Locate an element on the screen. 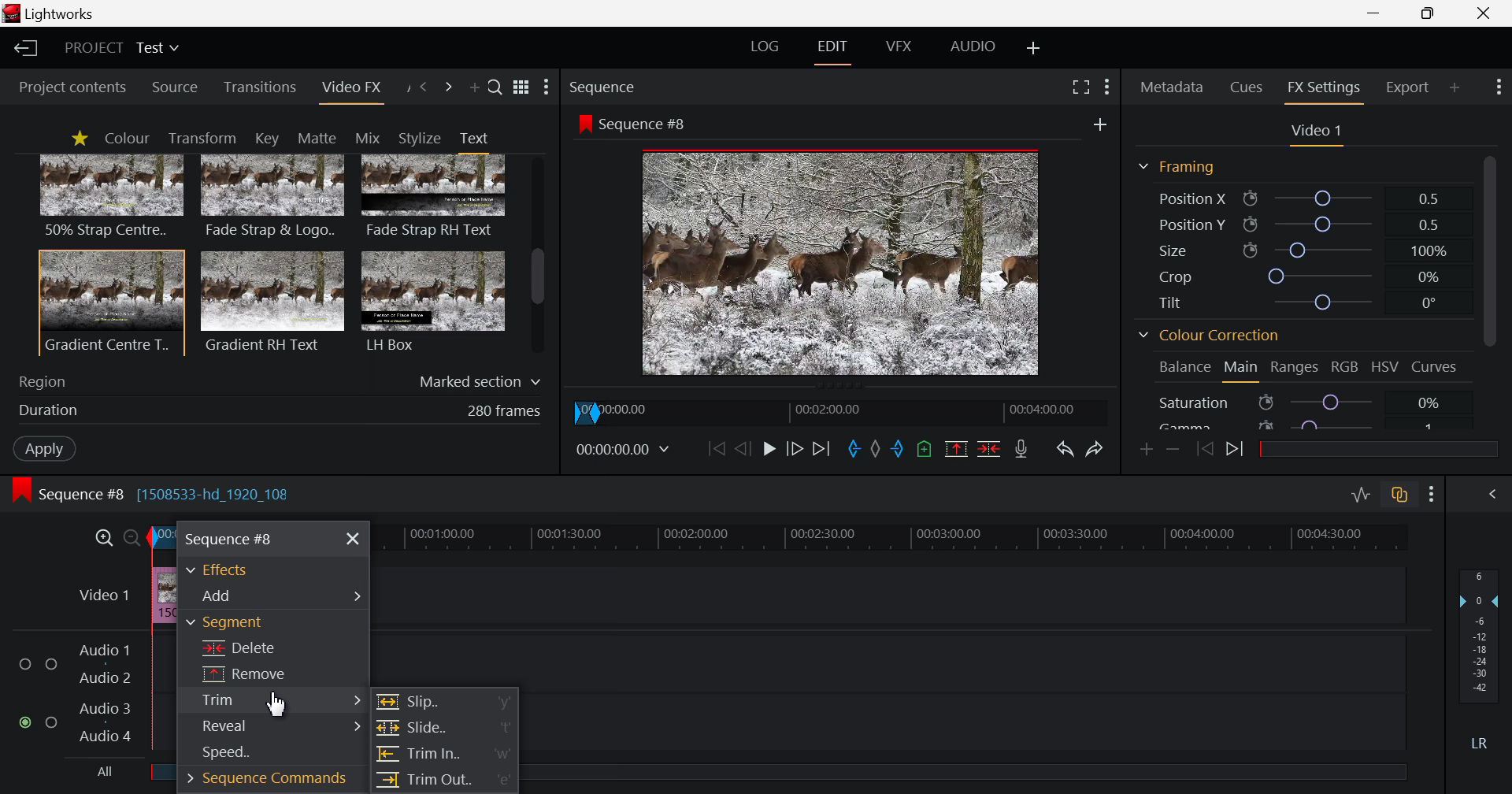 Image resolution: width=1512 pixels, height=794 pixels. Framing Section is located at coordinates (1183, 166).